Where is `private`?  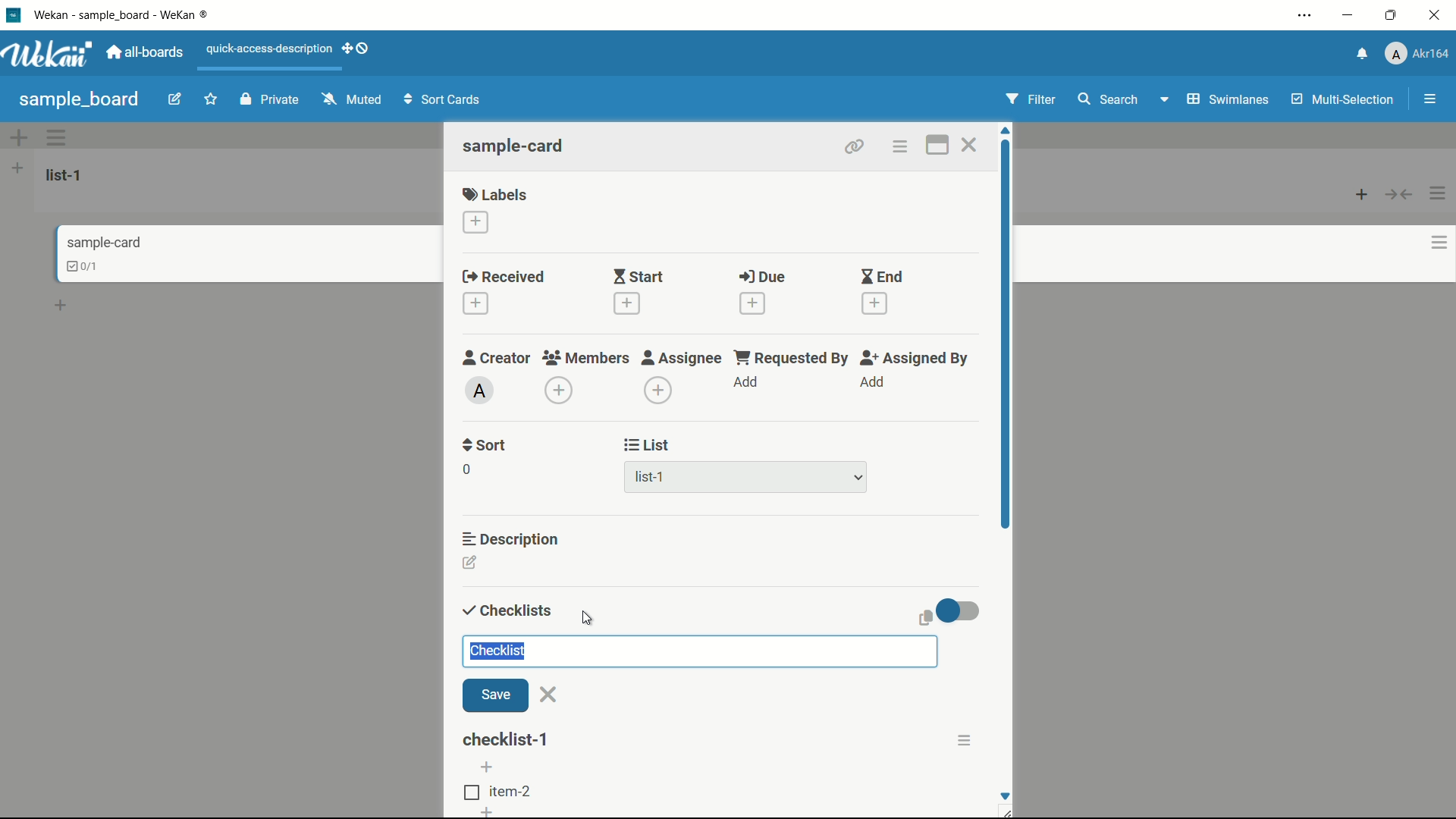 private is located at coordinates (270, 101).